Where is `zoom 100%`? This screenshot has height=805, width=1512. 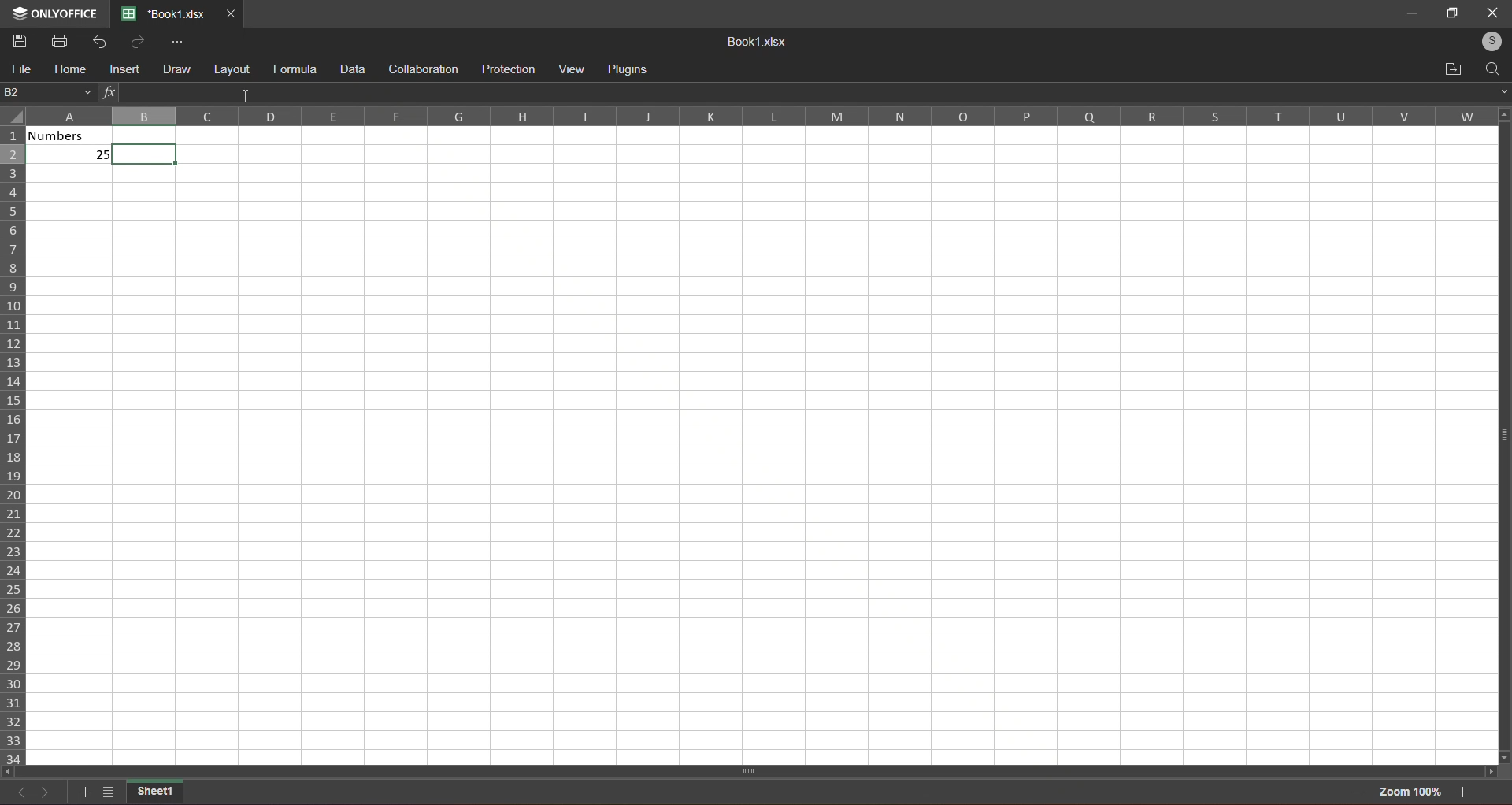 zoom 100% is located at coordinates (1413, 793).